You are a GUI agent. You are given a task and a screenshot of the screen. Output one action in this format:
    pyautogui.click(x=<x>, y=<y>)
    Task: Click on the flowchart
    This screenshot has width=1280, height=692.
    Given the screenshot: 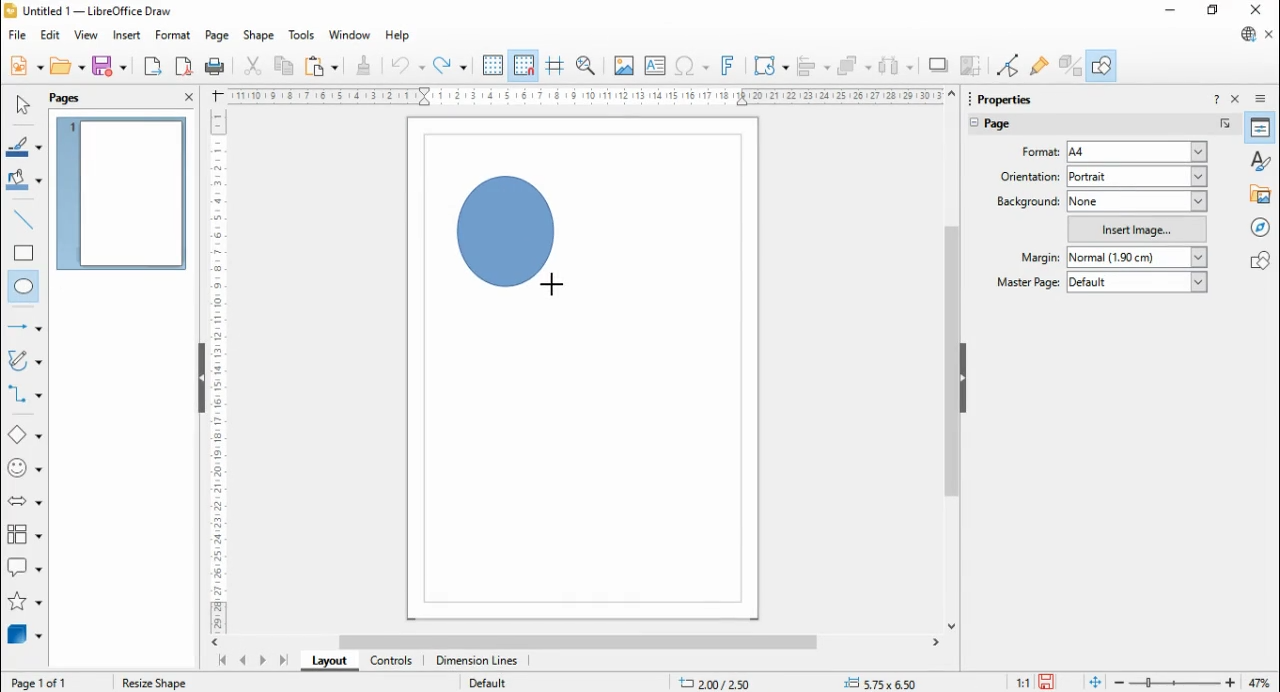 What is the action you would take?
    pyautogui.click(x=25, y=538)
    